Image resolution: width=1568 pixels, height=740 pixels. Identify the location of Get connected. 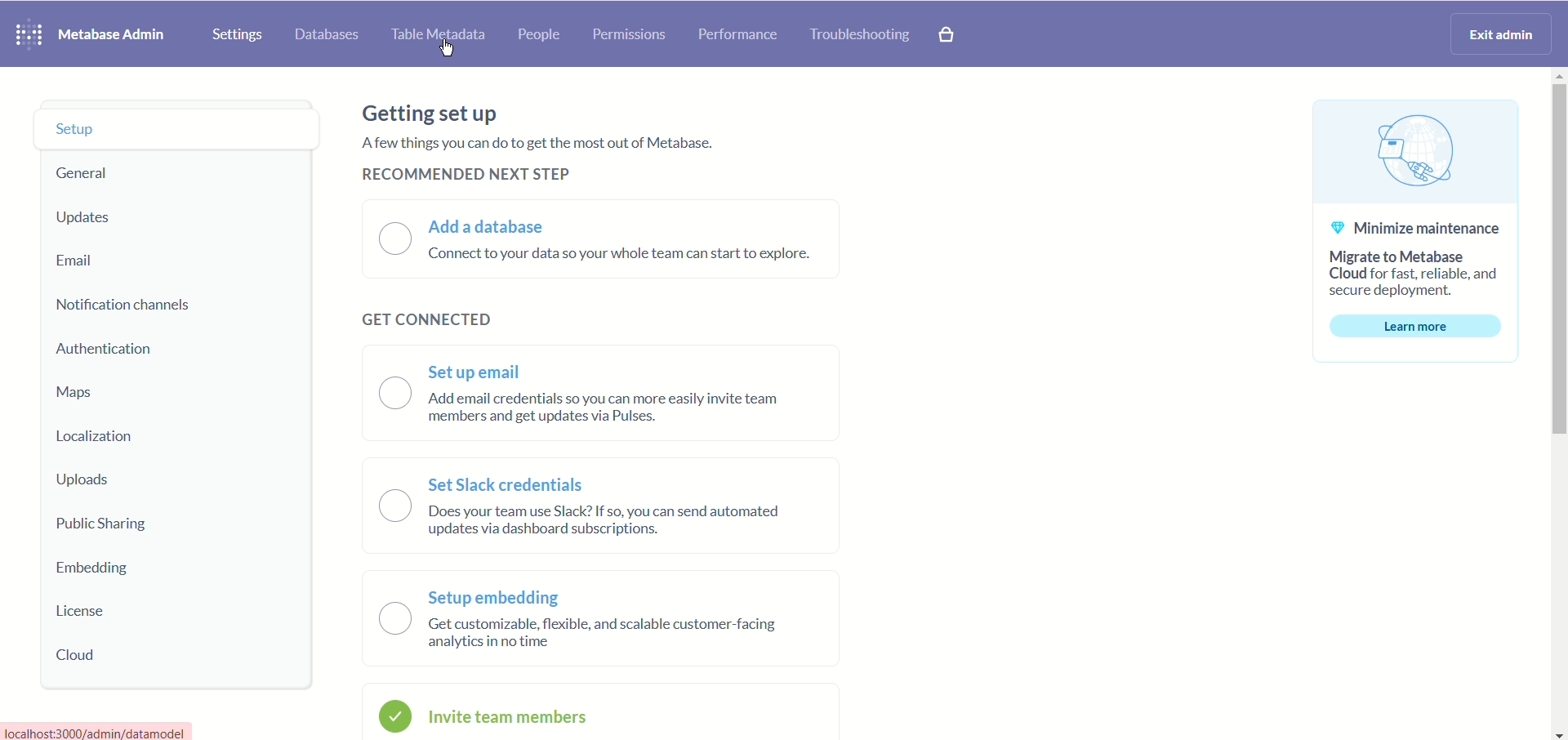
(424, 319).